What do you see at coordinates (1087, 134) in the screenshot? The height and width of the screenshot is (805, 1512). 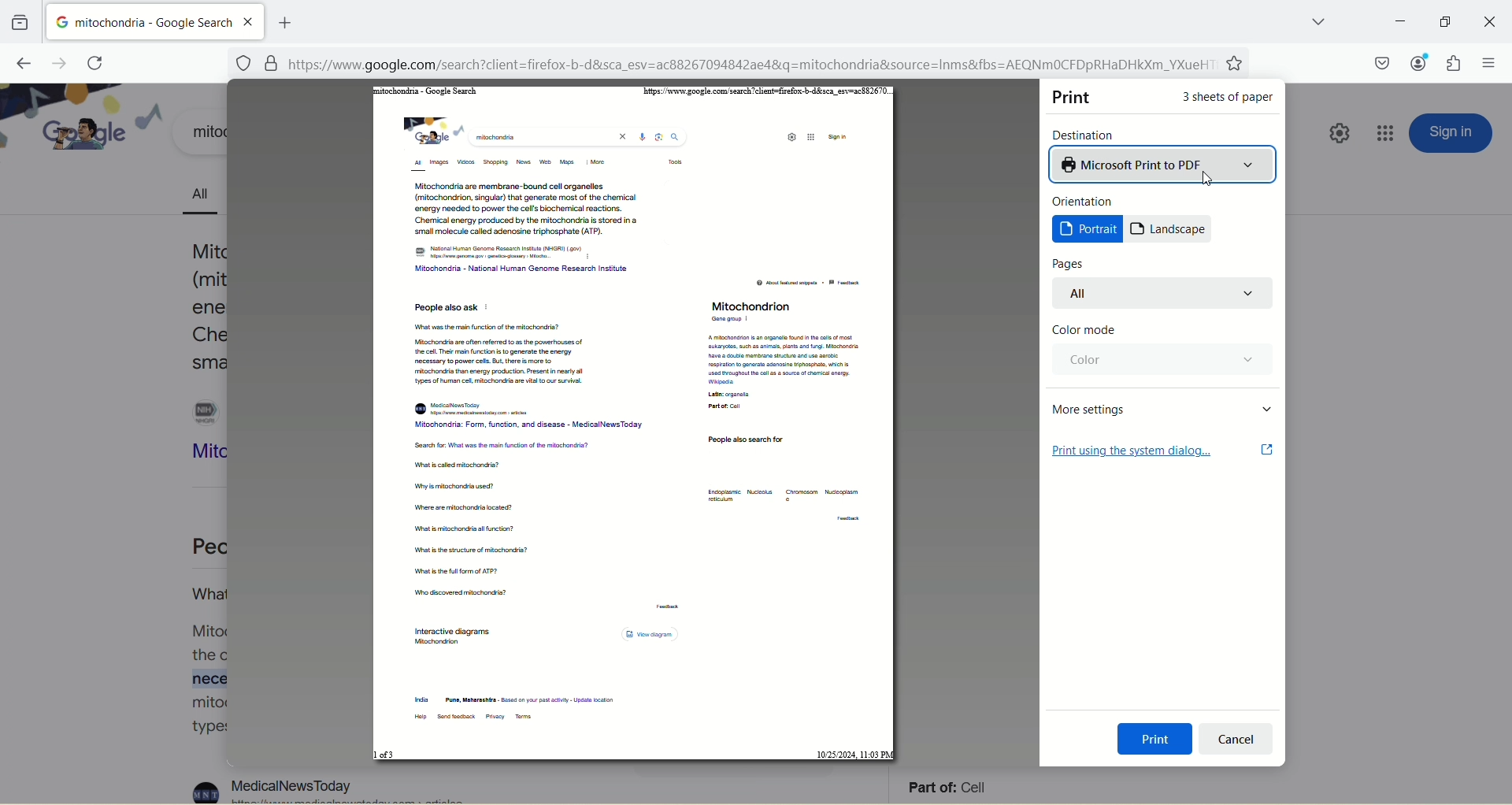 I see `destination` at bounding box center [1087, 134].